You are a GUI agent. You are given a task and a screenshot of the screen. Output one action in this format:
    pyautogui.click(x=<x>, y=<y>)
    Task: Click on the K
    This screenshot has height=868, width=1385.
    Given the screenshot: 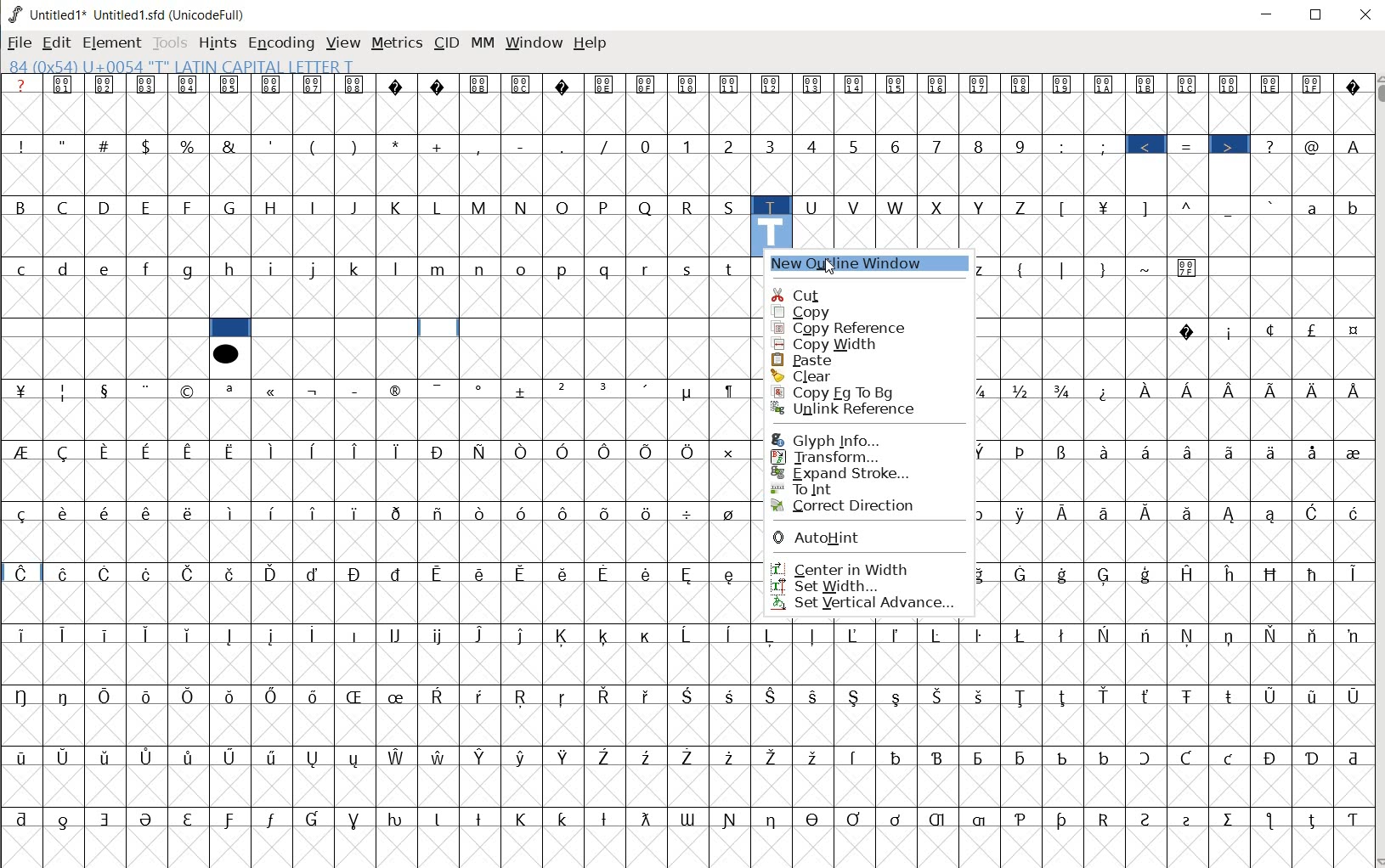 What is the action you would take?
    pyautogui.click(x=399, y=206)
    